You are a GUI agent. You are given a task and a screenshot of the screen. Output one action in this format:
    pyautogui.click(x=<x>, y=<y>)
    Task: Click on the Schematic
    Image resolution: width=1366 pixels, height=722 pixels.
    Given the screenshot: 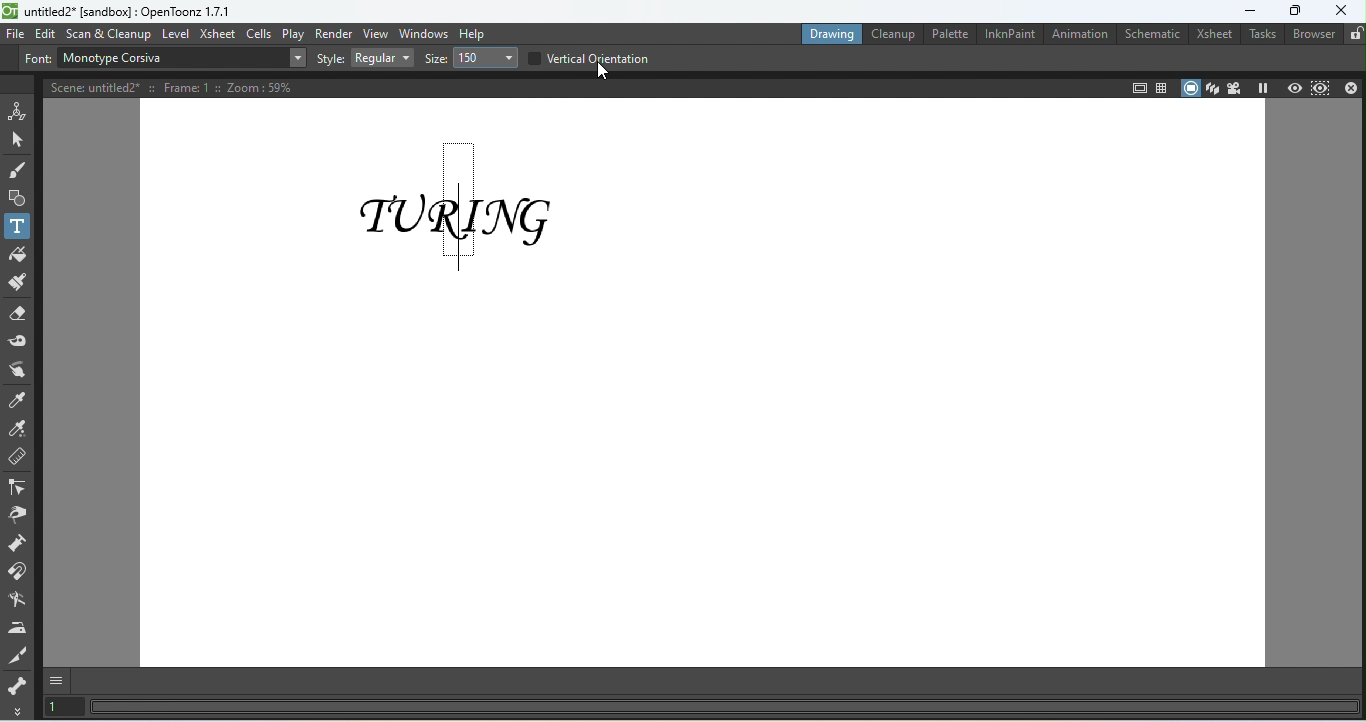 What is the action you would take?
    pyautogui.click(x=1149, y=35)
    